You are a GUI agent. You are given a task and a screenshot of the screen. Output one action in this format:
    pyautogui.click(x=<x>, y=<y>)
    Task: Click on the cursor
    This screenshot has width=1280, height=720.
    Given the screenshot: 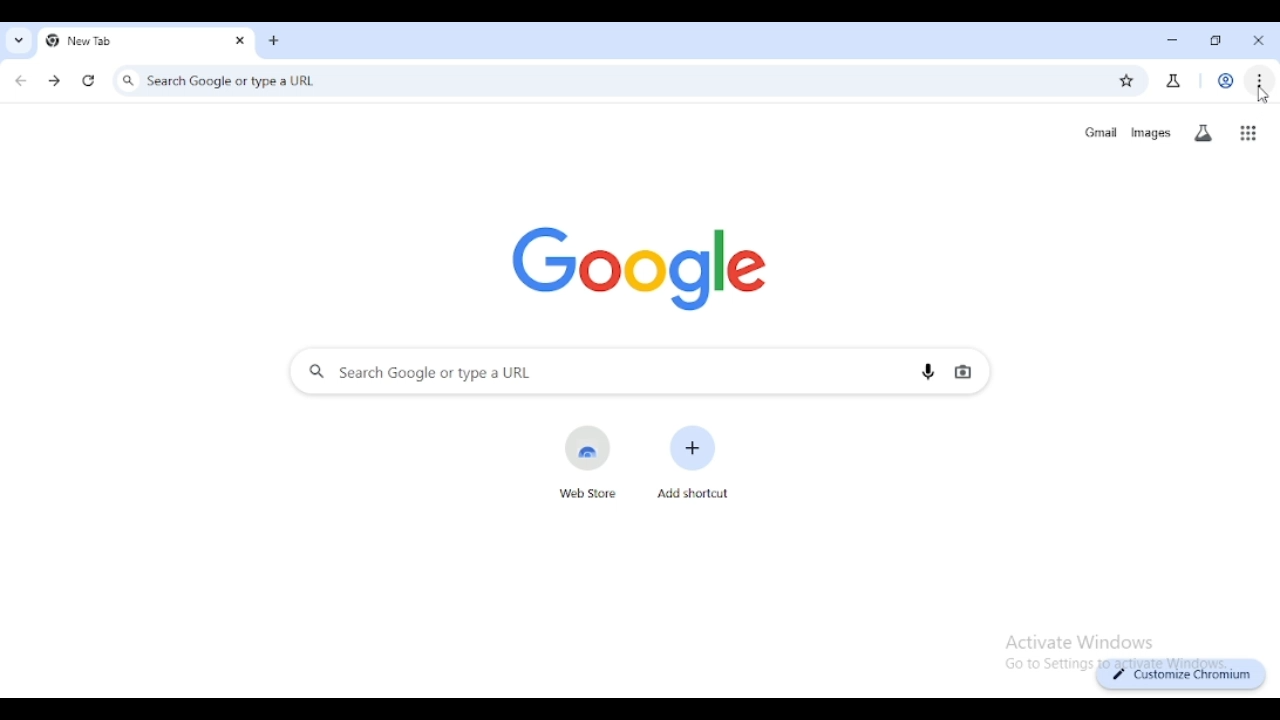 What is the action you would take?
    pyautogui.click(x=1262, y=96)
    